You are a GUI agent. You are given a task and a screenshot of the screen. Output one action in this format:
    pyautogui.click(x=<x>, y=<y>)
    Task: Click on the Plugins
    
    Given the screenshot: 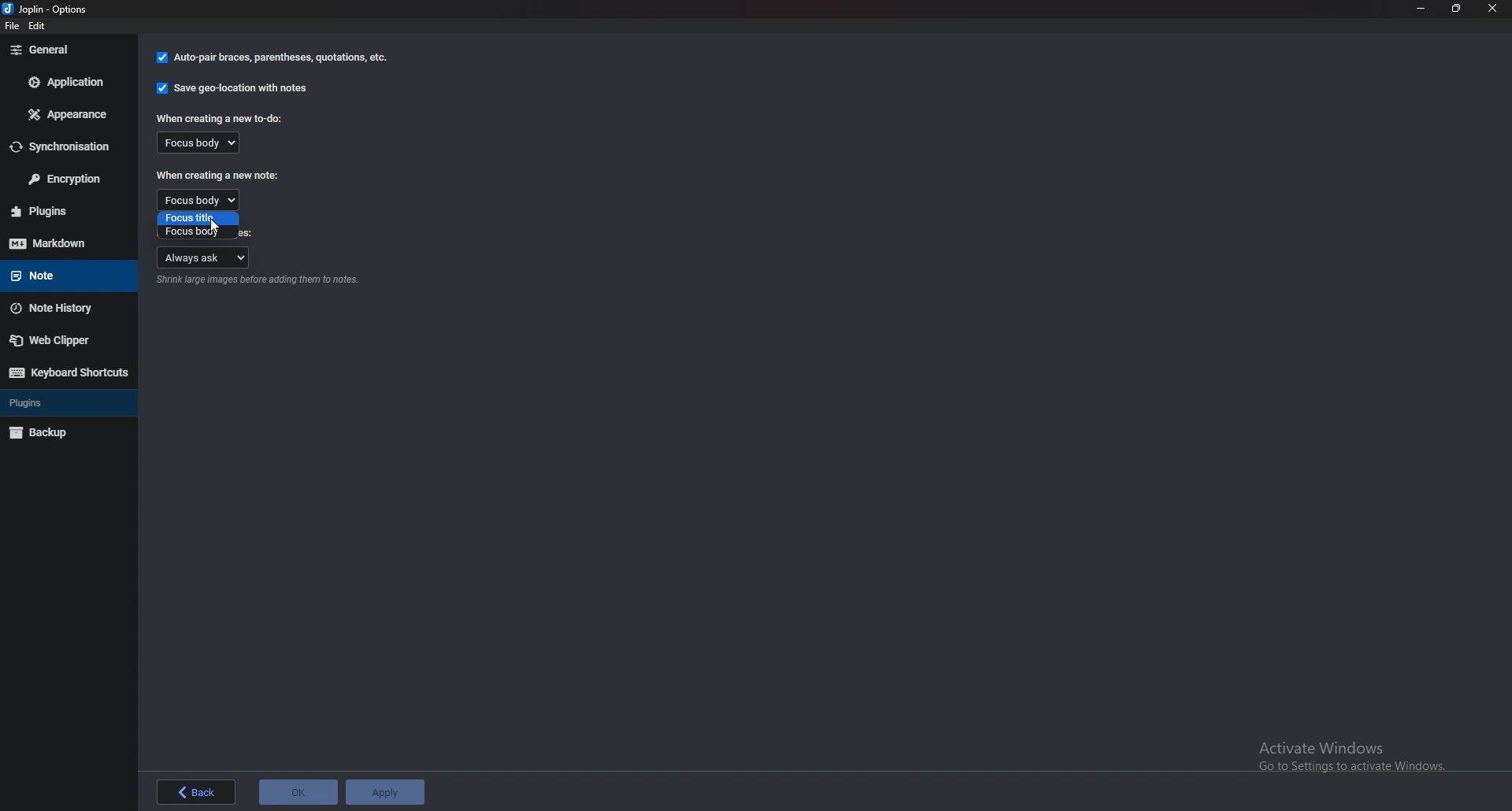 What is the action you would take?
    pyautogui.click(x=66, y=211)
    